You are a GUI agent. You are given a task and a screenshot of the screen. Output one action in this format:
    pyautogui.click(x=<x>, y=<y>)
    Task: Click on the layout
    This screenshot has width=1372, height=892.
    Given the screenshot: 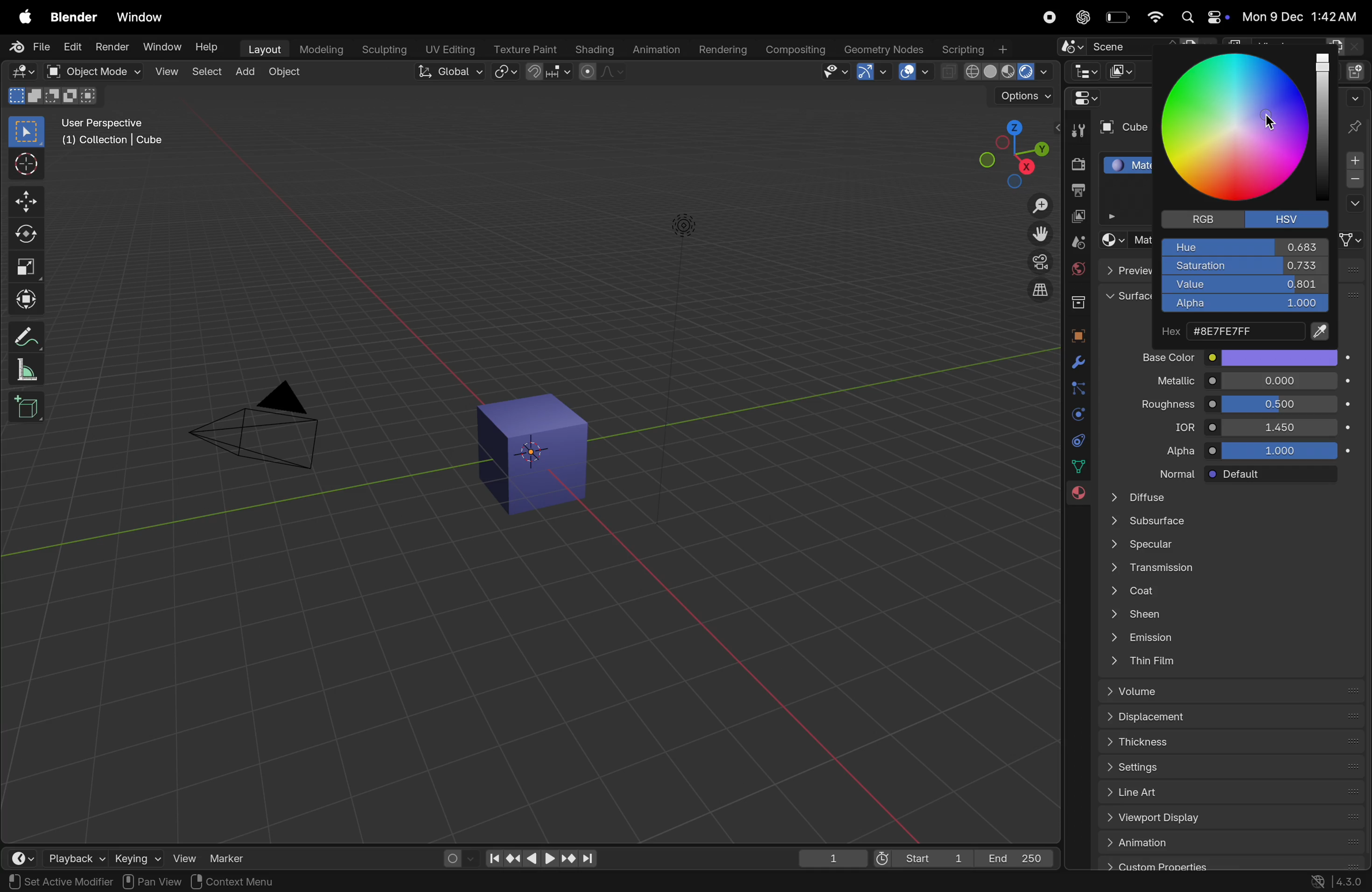 What is the action you would take?
    pyautogui.click(x=263, y=50)
    